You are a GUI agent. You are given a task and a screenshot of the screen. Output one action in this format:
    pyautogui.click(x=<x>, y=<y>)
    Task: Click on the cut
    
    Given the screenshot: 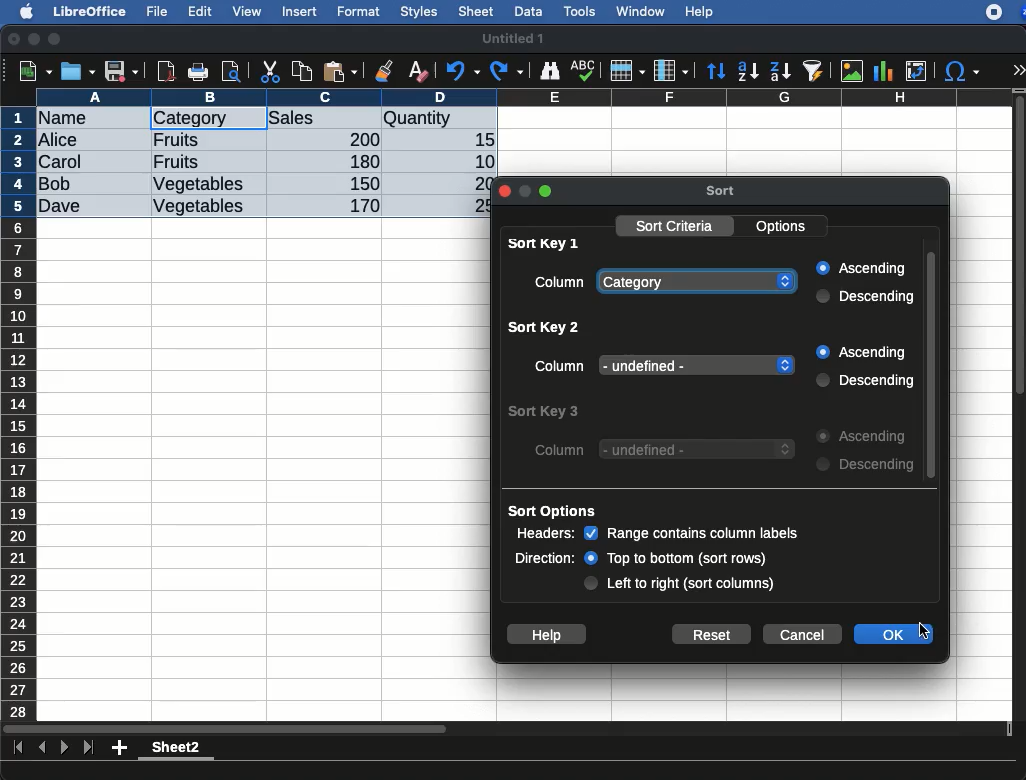 What is the action you would take?
    pyautogui.click(x=271, y=71)
    